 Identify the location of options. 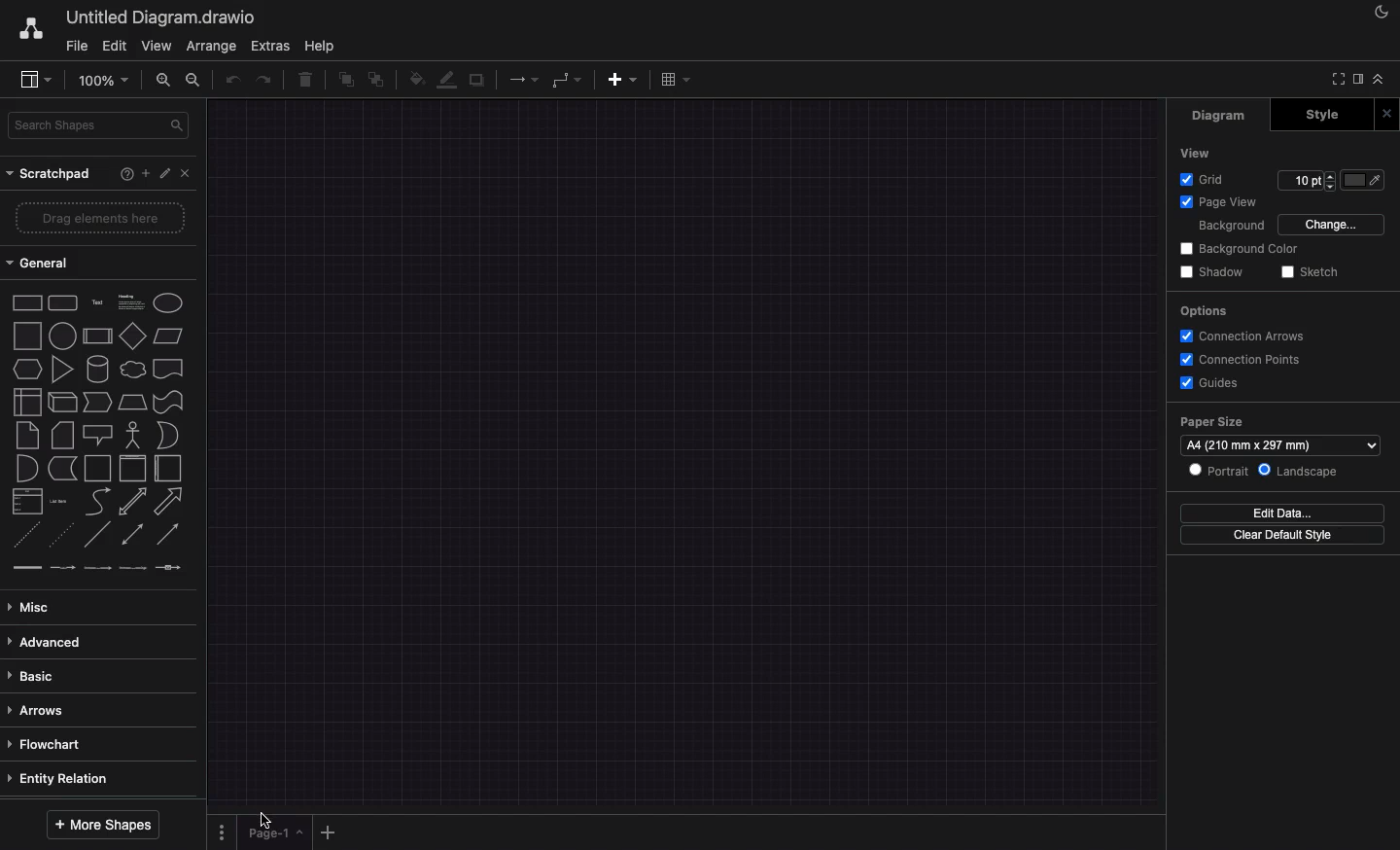
(1202, 311).